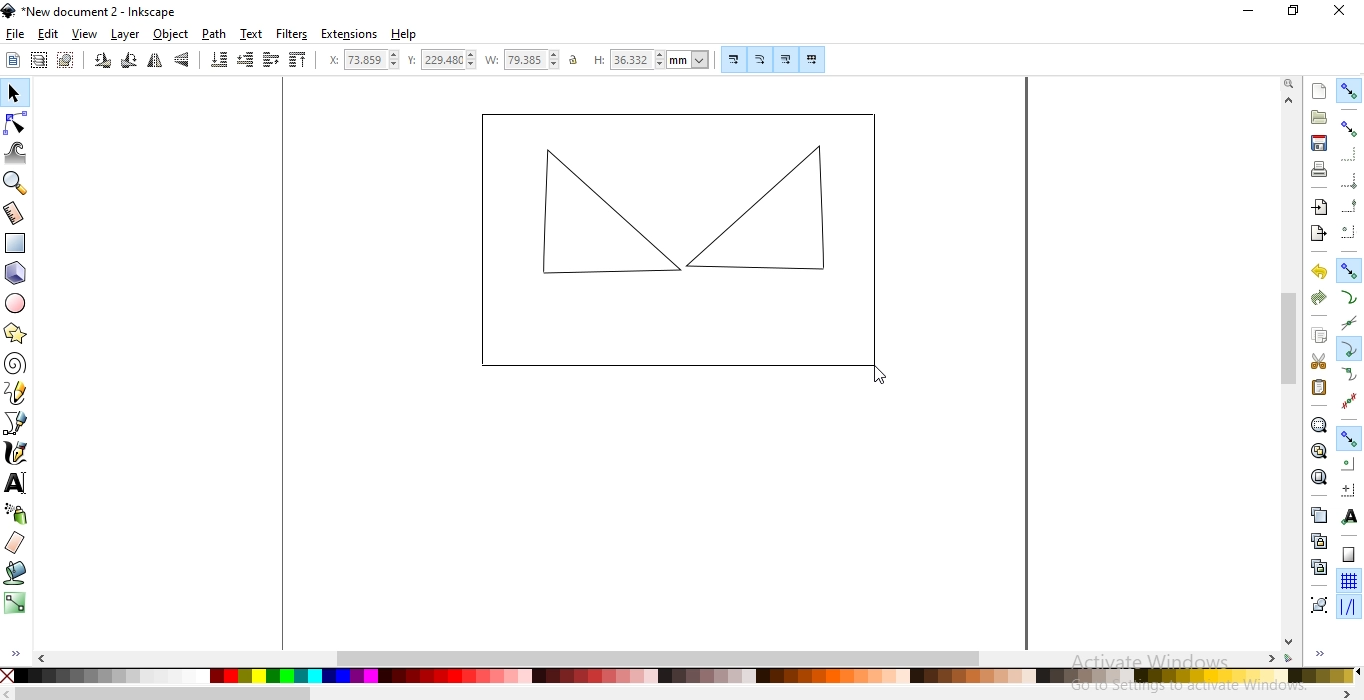 Image resolution: width=1364 pixels, height=700 pixels. I want to click on snap centers of objects, so click(1348, 464).